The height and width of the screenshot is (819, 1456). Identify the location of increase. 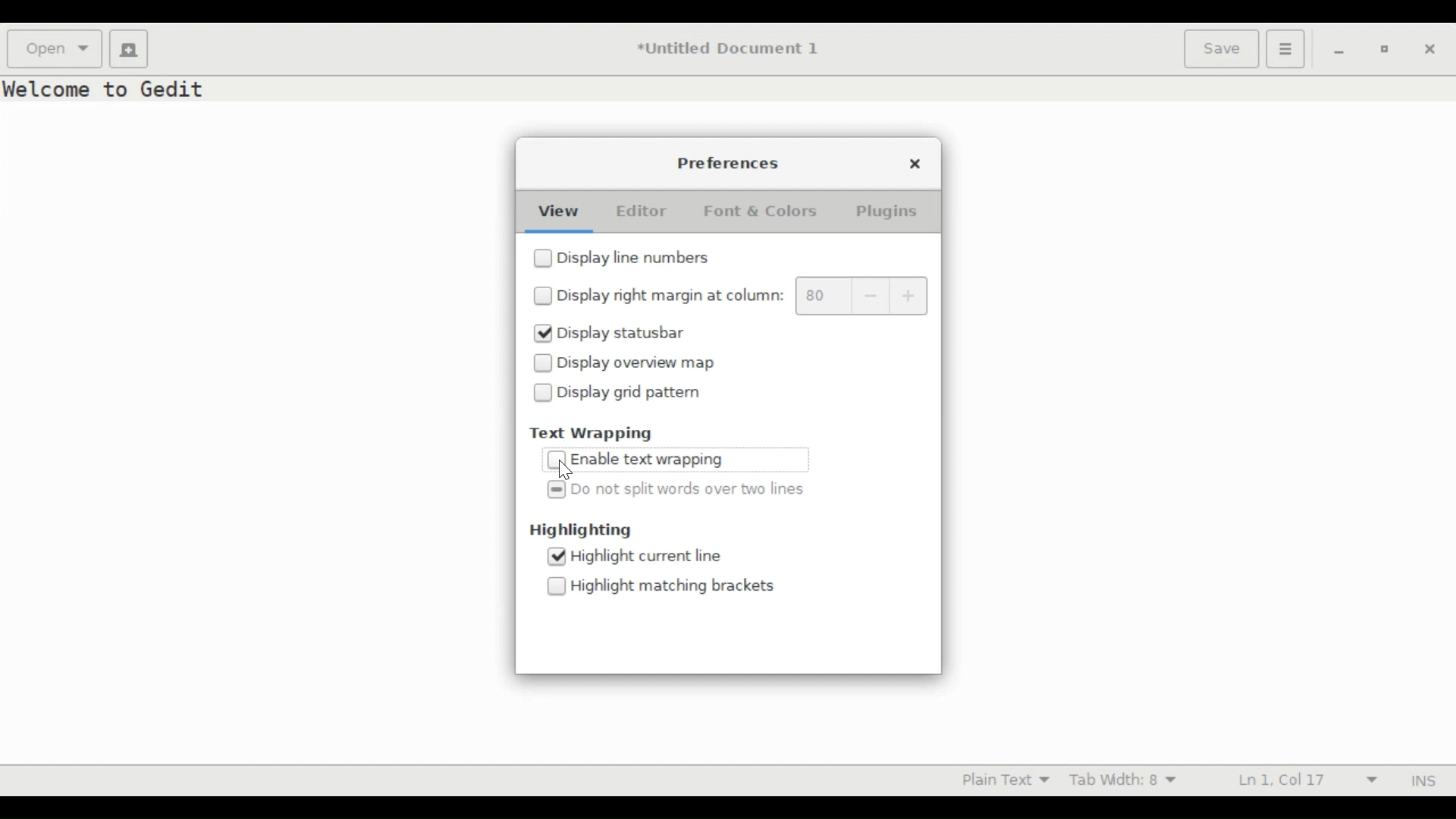
(912, 296).